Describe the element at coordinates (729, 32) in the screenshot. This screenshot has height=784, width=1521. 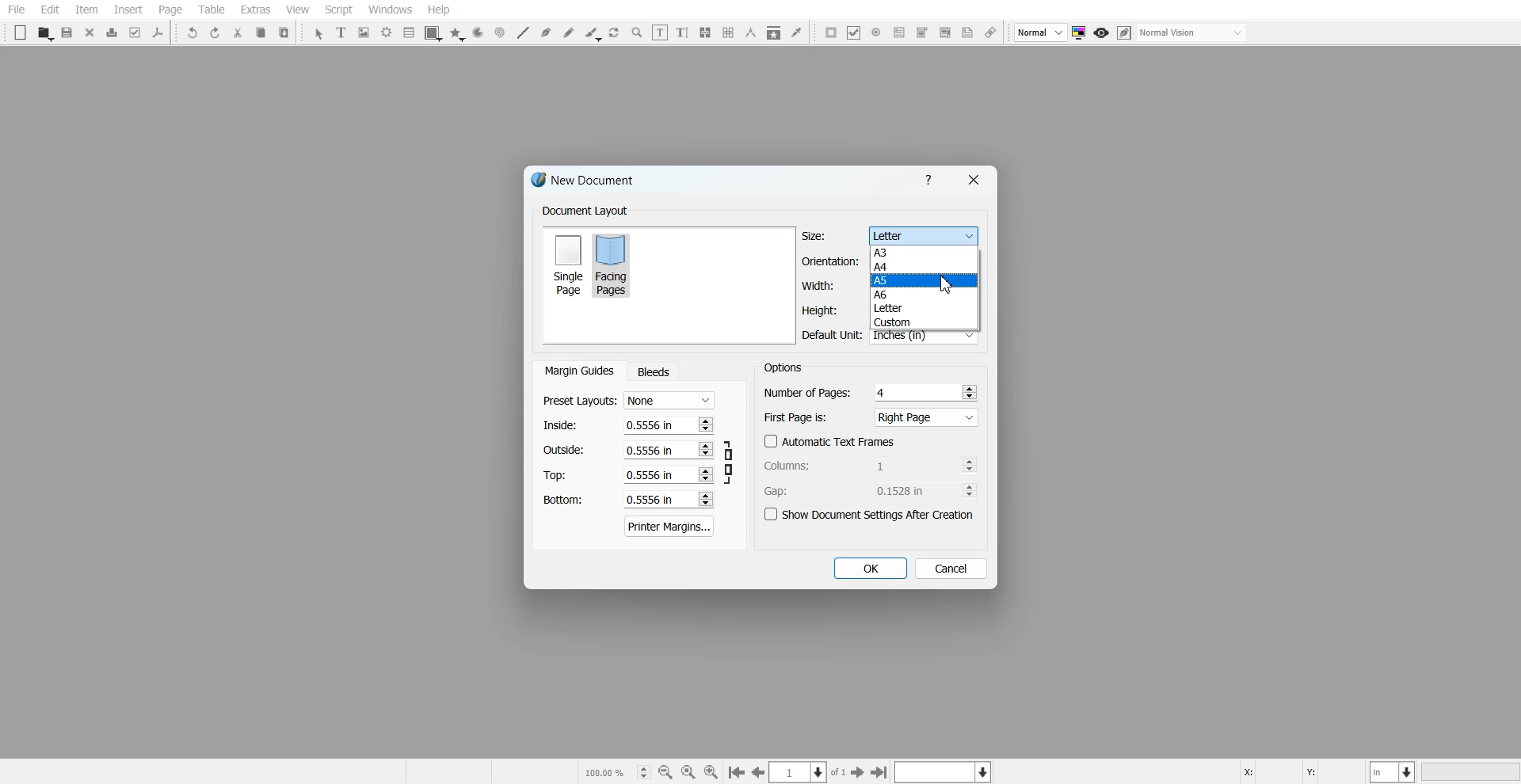
I see `Unlink Text Frame` at that location.